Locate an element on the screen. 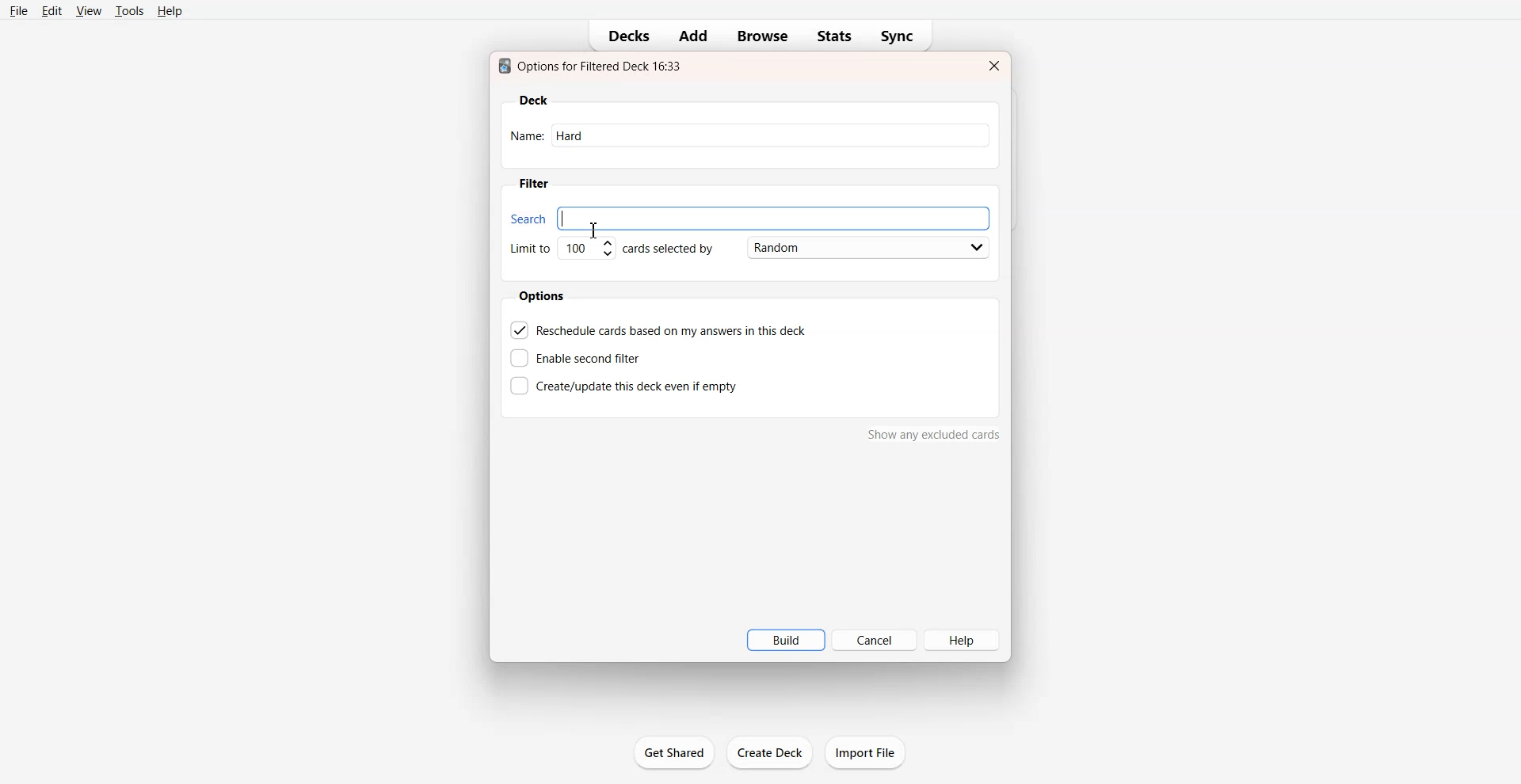 The height and width of the screenshot is (784, 1521). Create this deck even if empty is located at coordinates (623, 384).